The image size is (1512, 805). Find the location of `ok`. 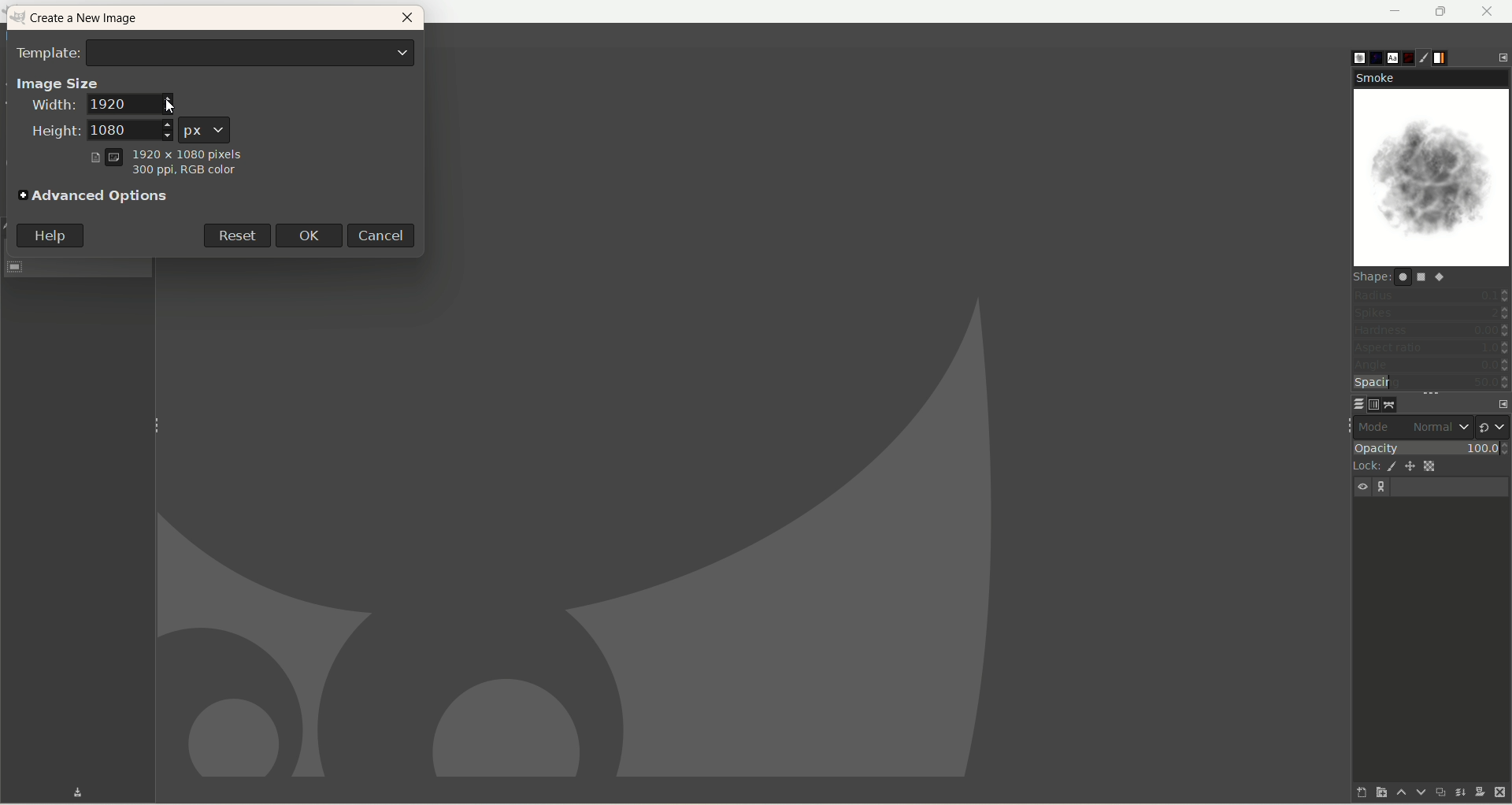

ok is located at coordinates (314, 235).